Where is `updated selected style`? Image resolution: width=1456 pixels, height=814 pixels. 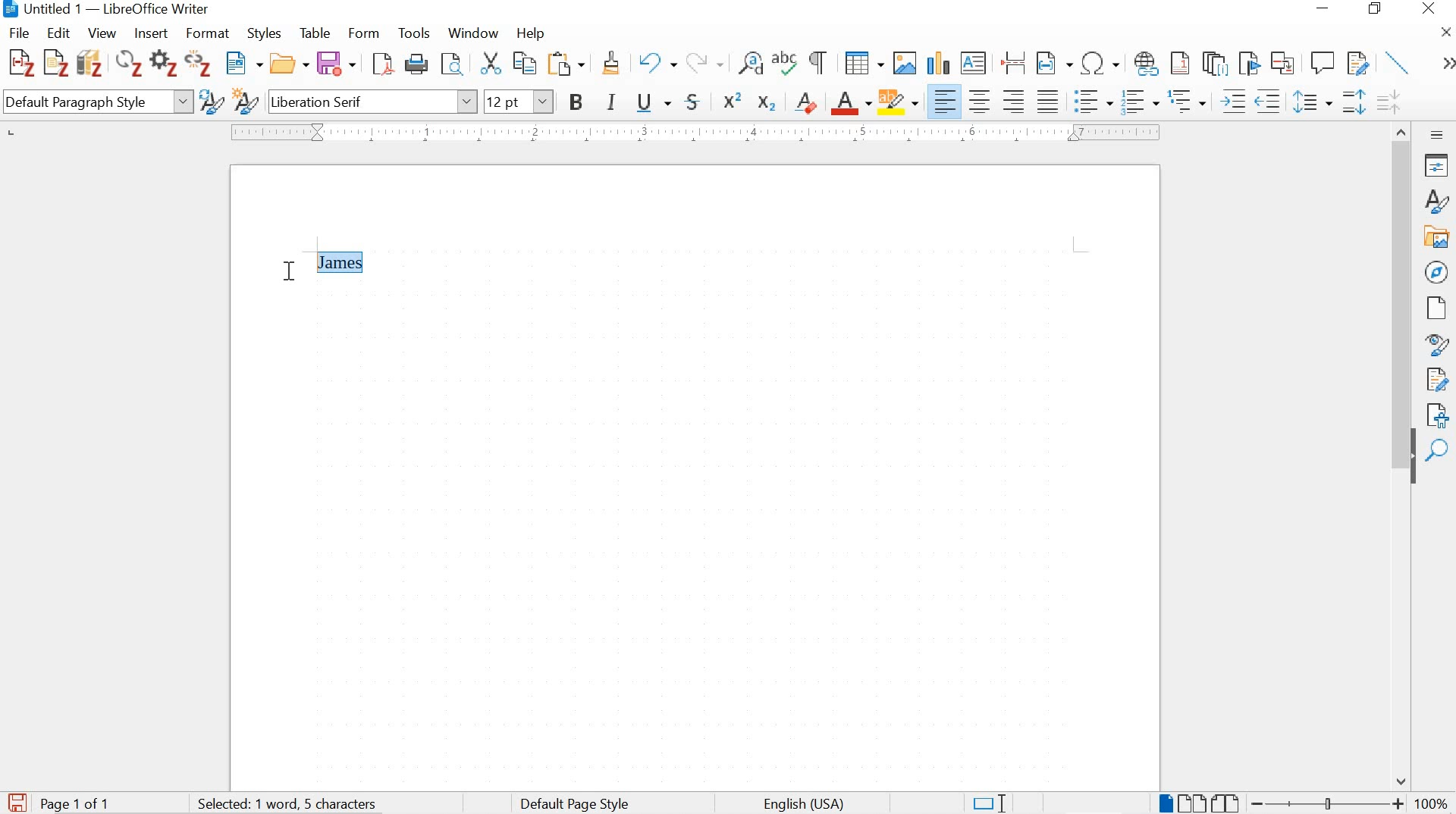
updated selected style is located at coordinates (210, 102).